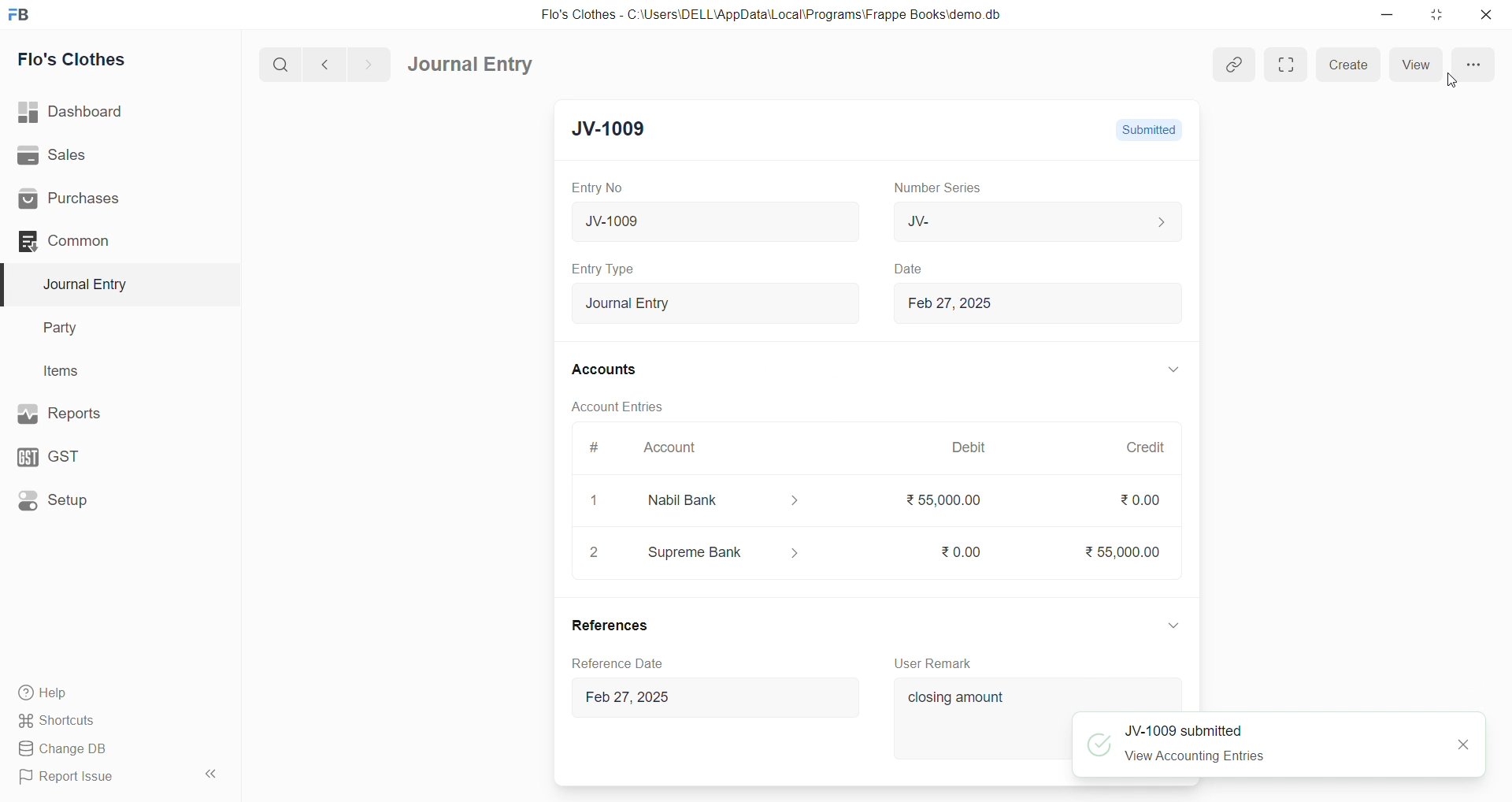 Image resolution: width=1512 pixels, height=802 pixels. What do you see at coordinates (622, 130) in the screenshot?
I see `JV-1009` at bounding box center [622, 130].